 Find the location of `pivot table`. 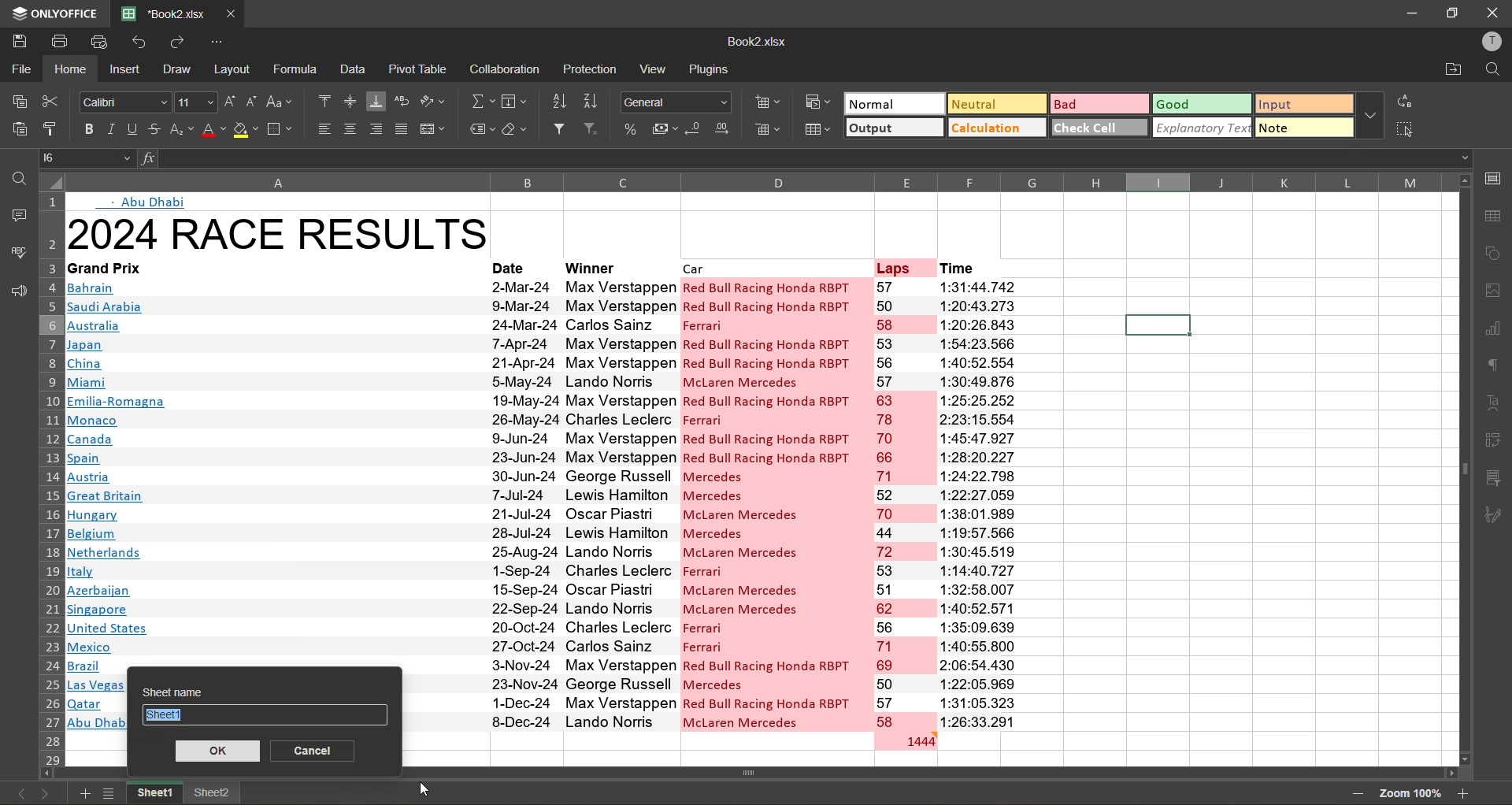

pivot table is located at coordinates (419, 69).